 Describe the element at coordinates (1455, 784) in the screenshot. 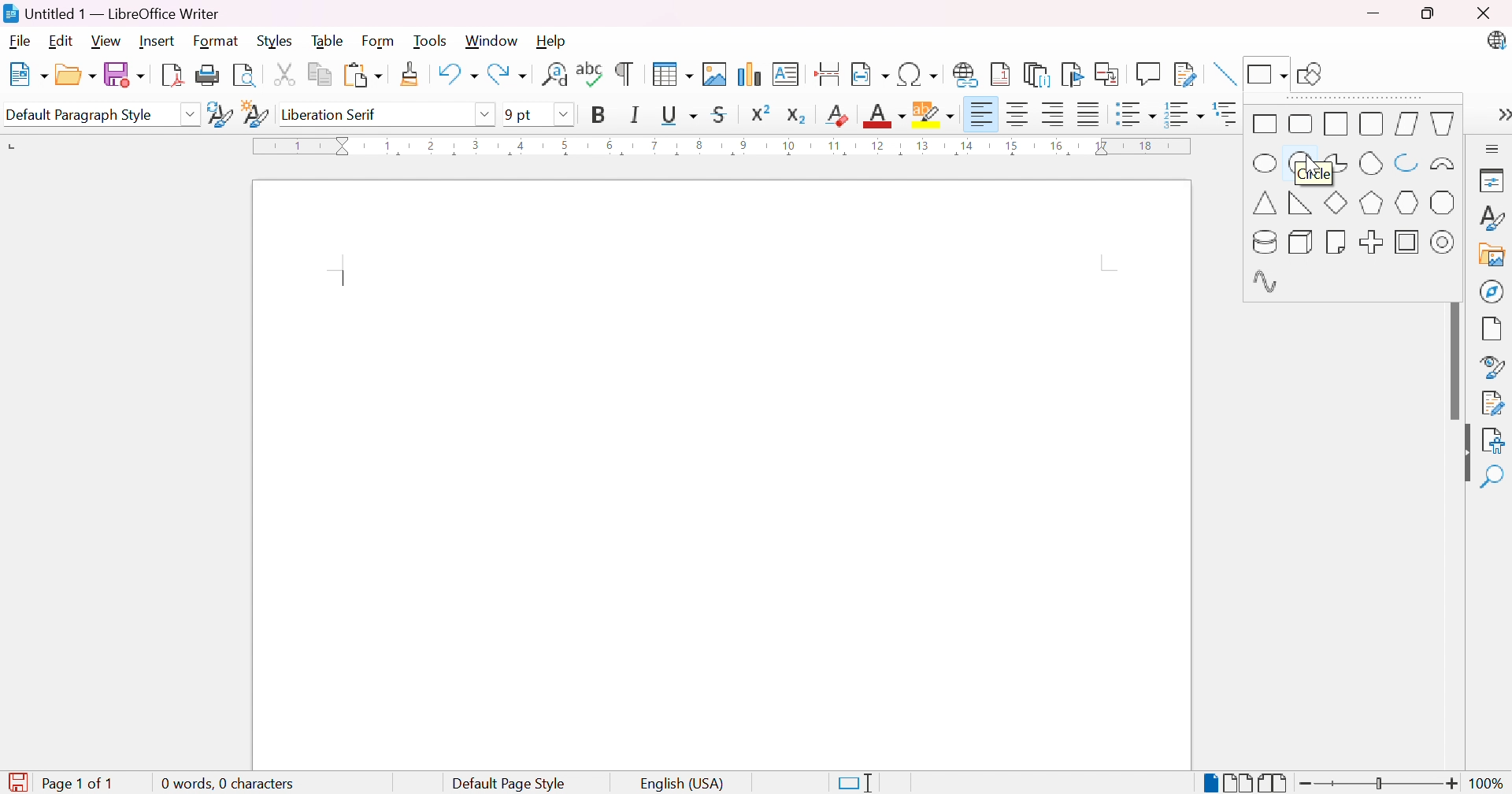

I see `Zoom in` at that location.